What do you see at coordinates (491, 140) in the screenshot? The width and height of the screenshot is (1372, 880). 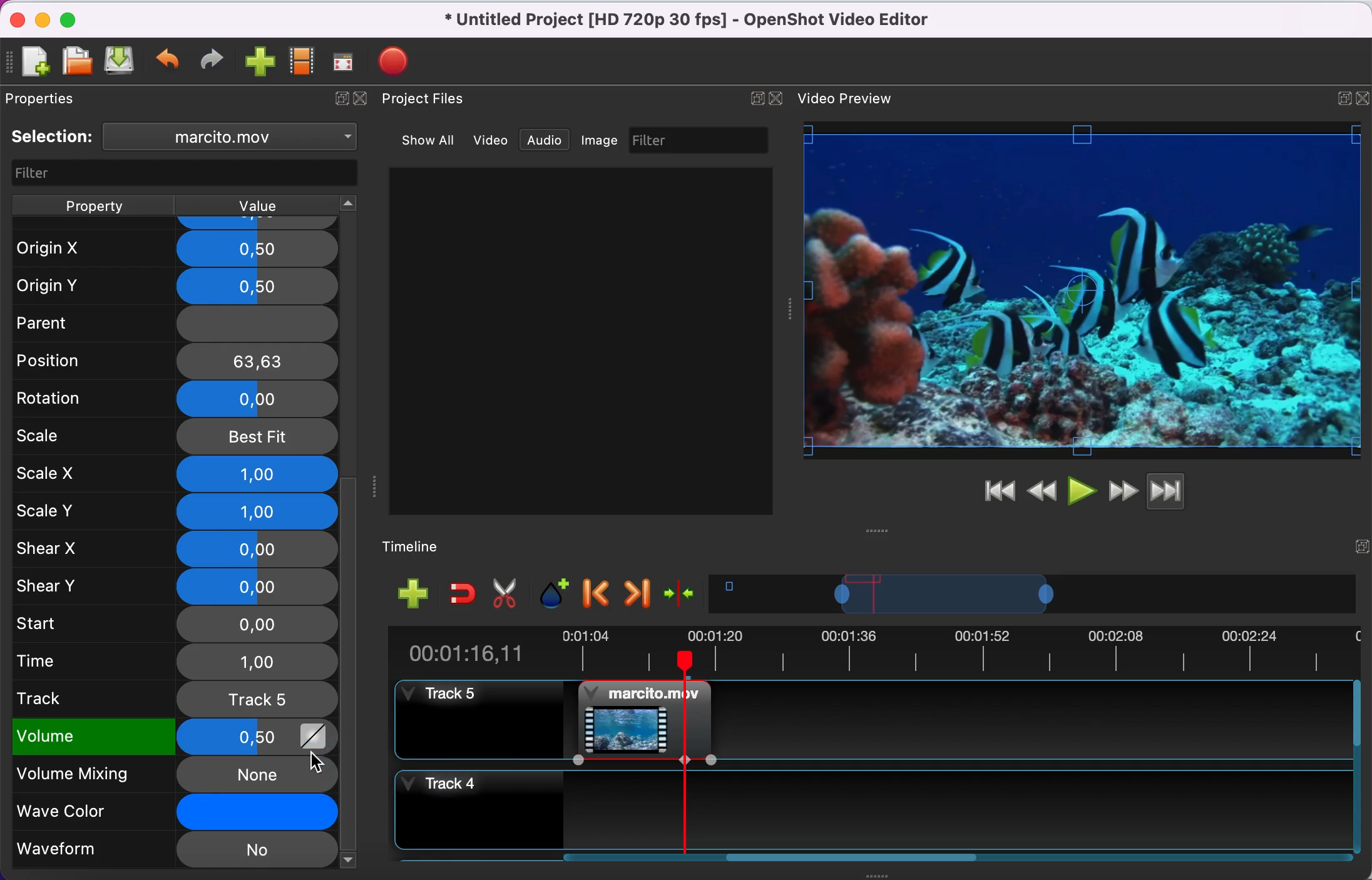 I see `video` at bounding box center [491, 140].